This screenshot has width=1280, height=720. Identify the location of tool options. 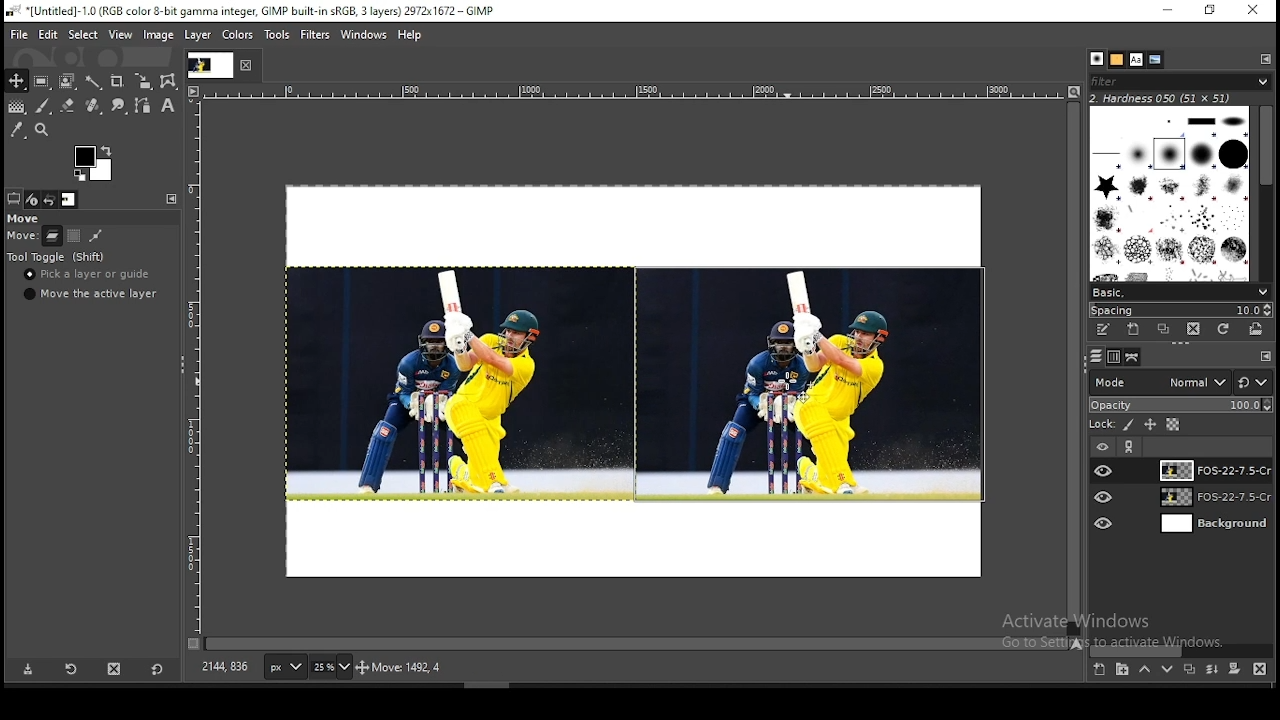
(14, 198).